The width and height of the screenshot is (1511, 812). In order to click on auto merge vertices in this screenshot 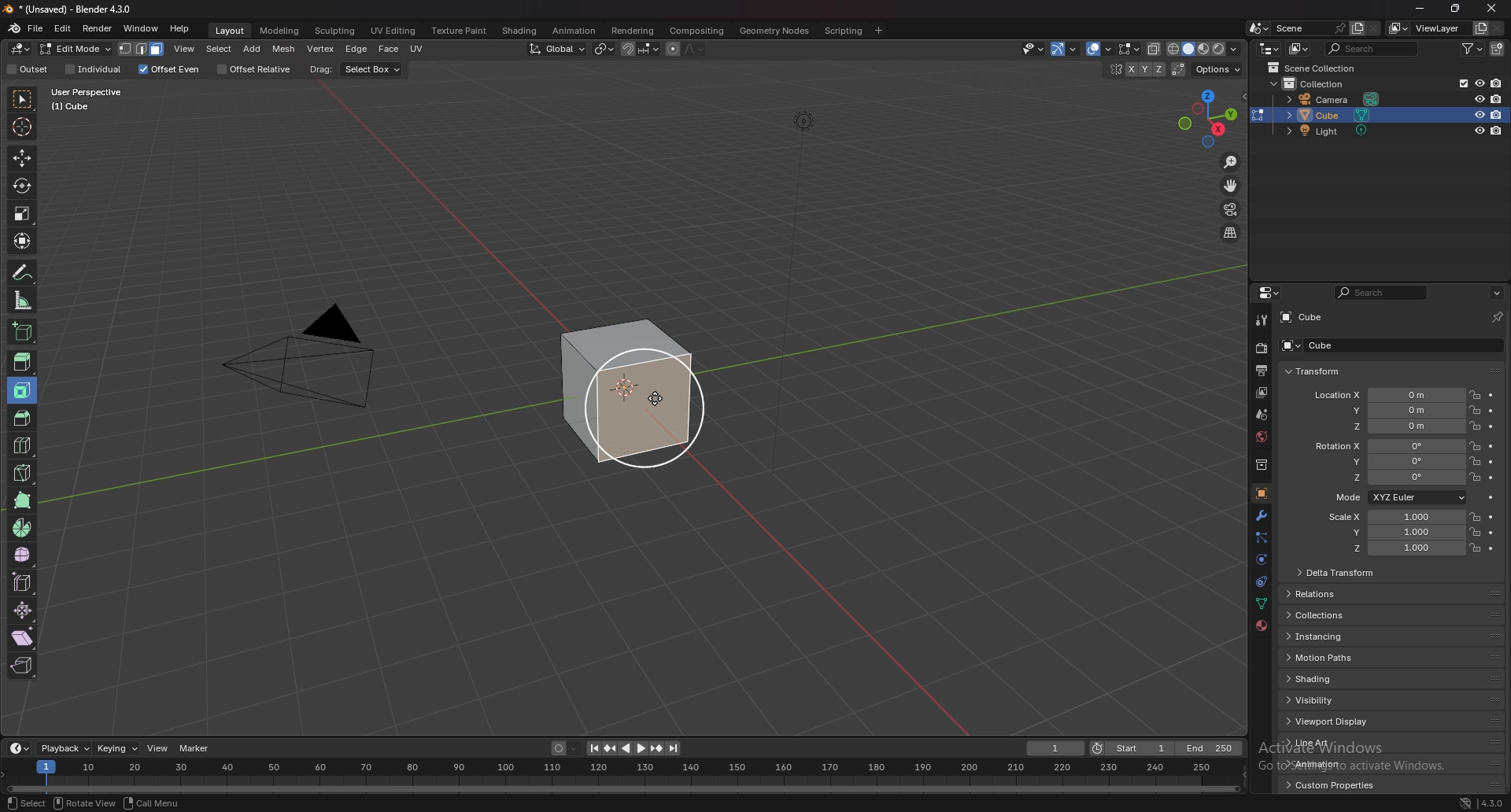, I will do `click(1180, 69)`.